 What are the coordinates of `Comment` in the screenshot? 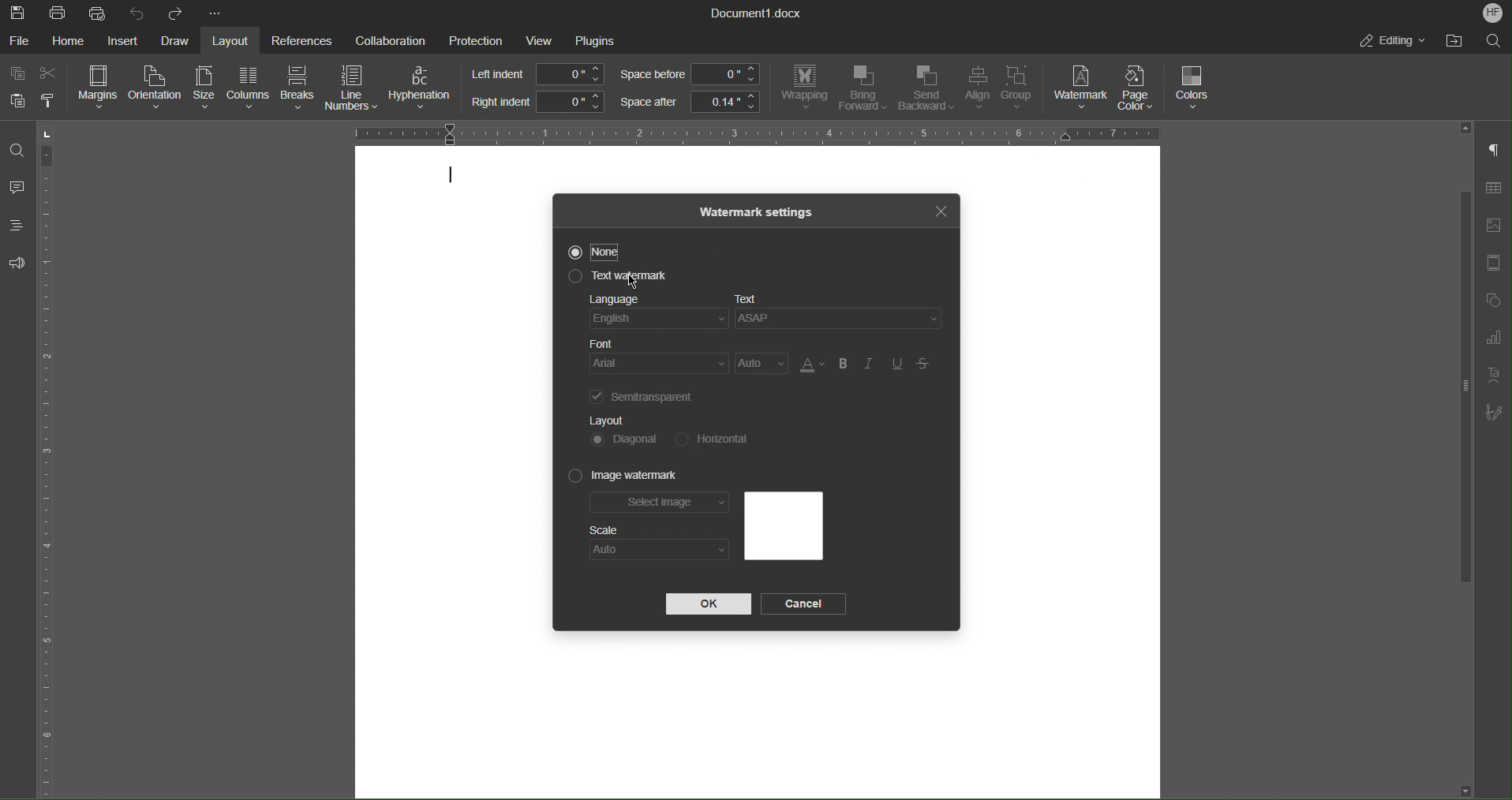 It's located at (17, 189).